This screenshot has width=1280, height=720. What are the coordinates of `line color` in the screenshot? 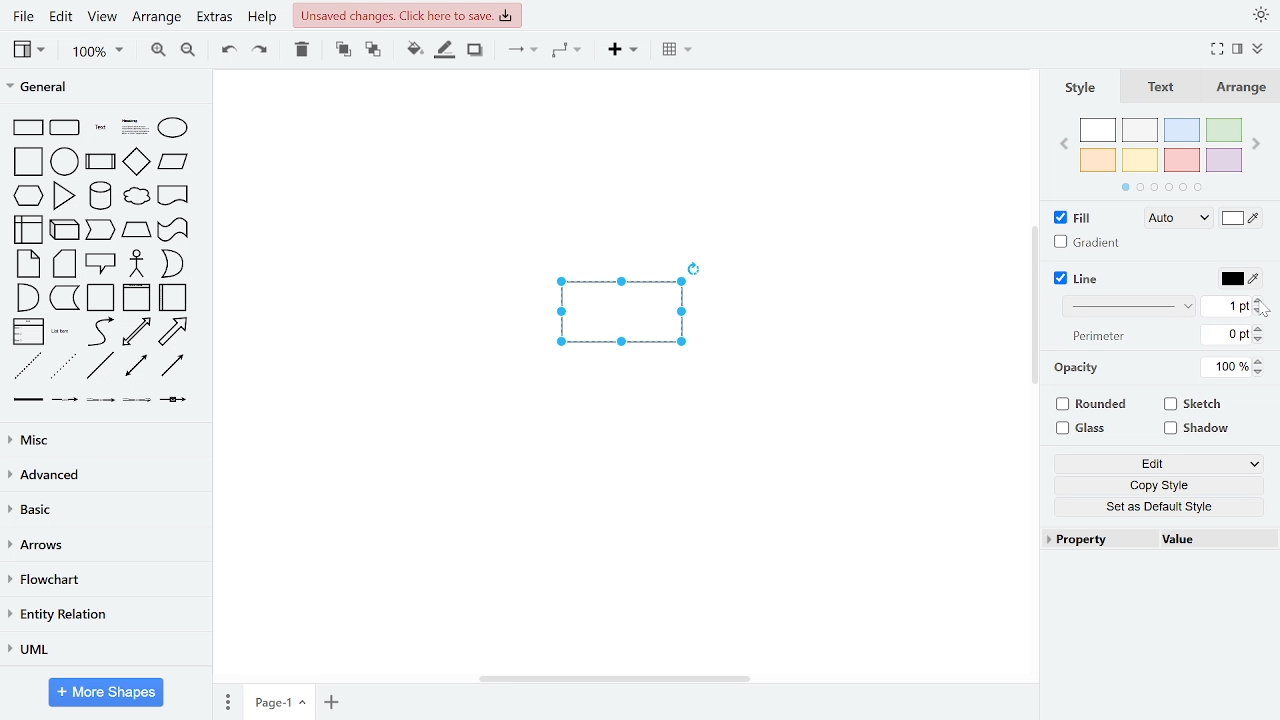 It's located at (1237, 280).